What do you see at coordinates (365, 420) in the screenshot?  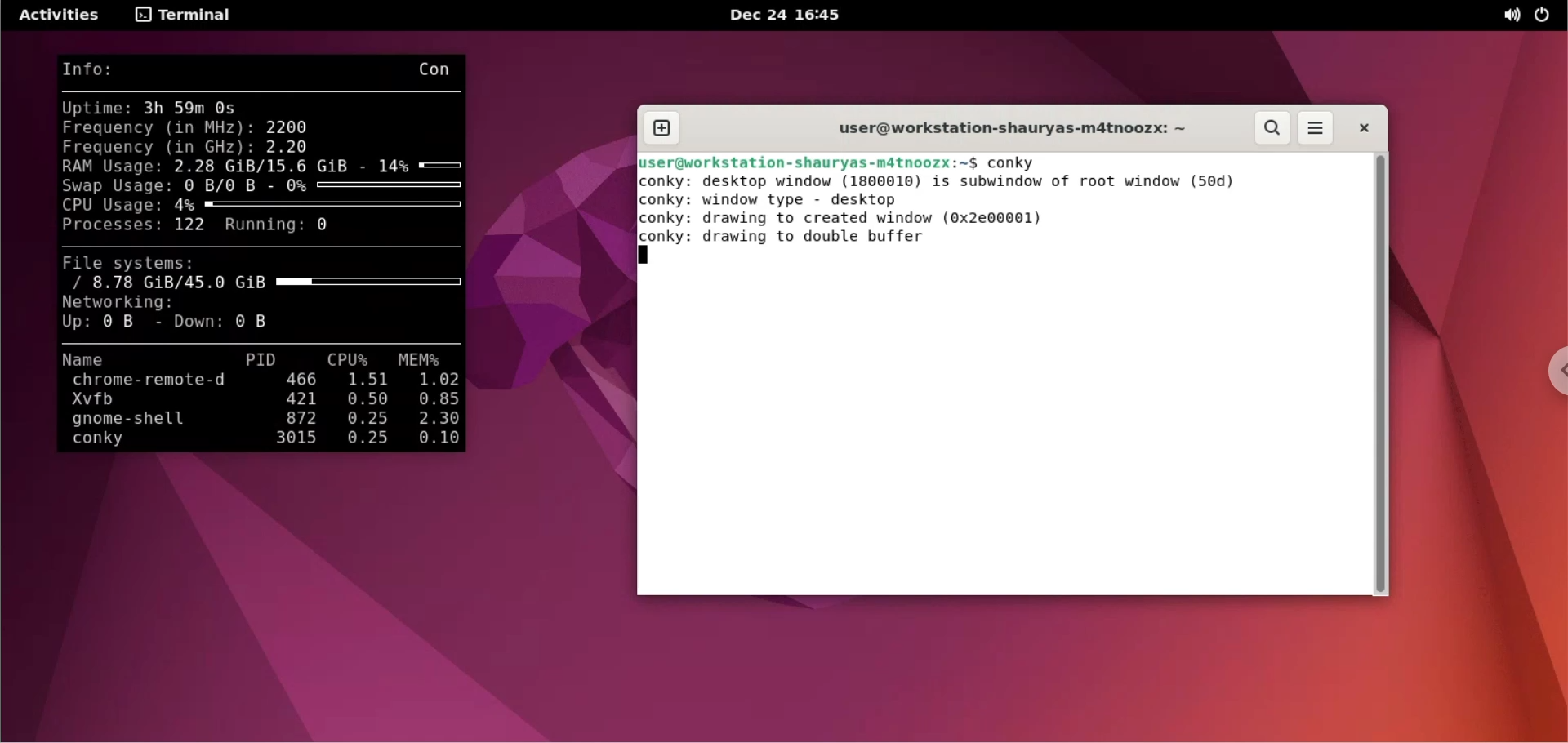 I see `0.25` at bounding box center [365, 420].